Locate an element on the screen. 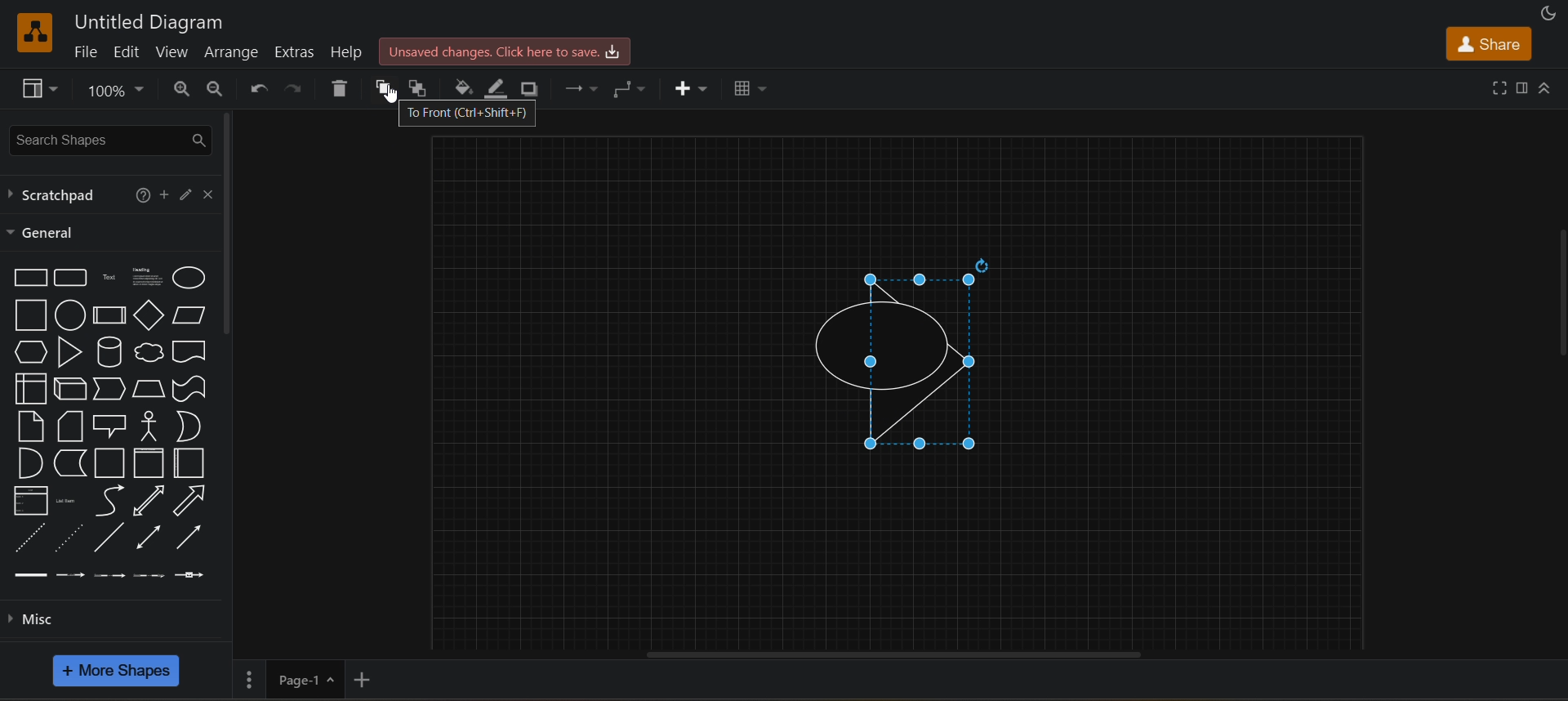 The image size is (1568, 701). scratchpad is located at coordinates (57, 194).